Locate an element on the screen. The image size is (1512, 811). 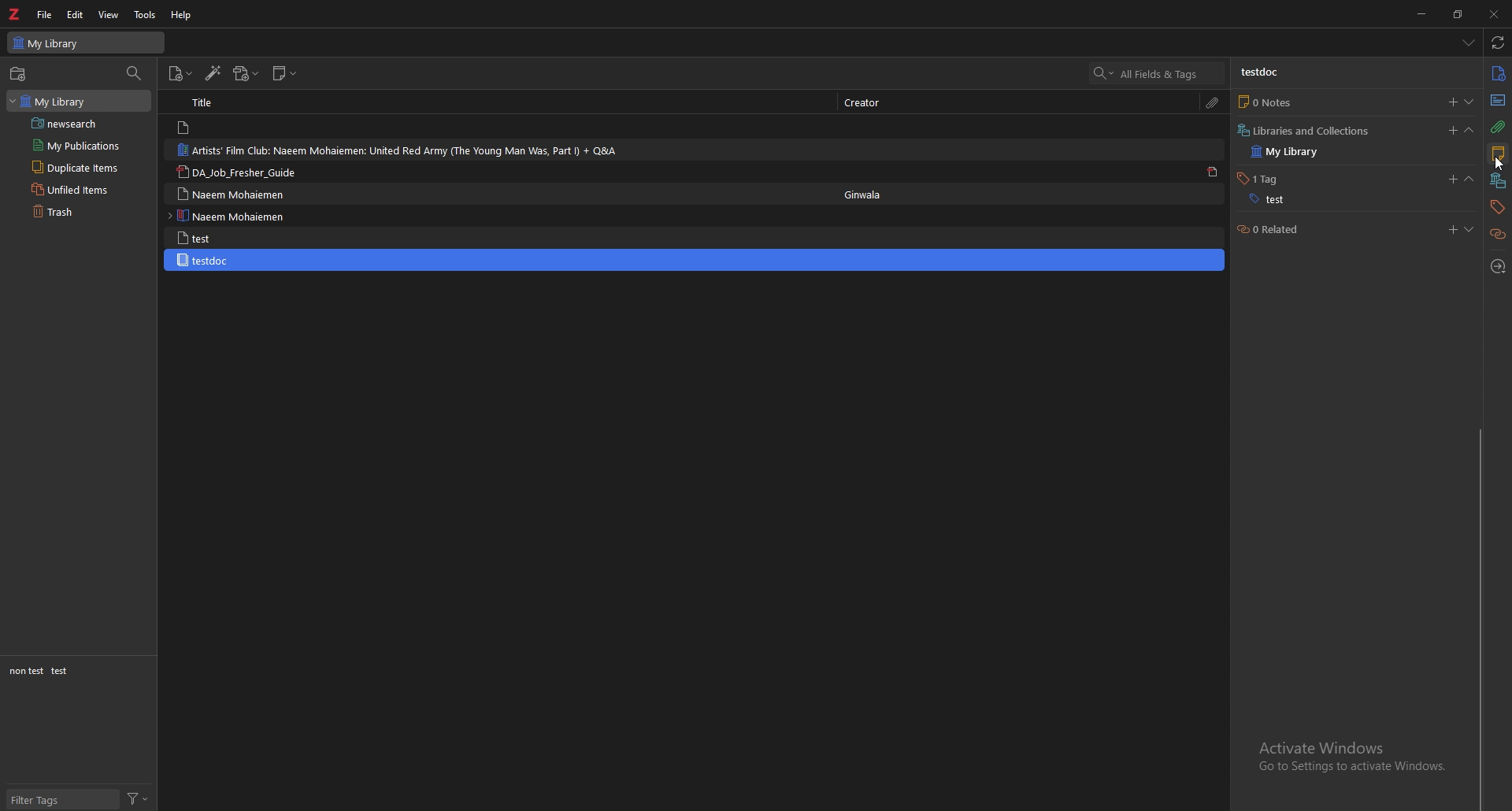
filter is located at coordinates (135, 798).